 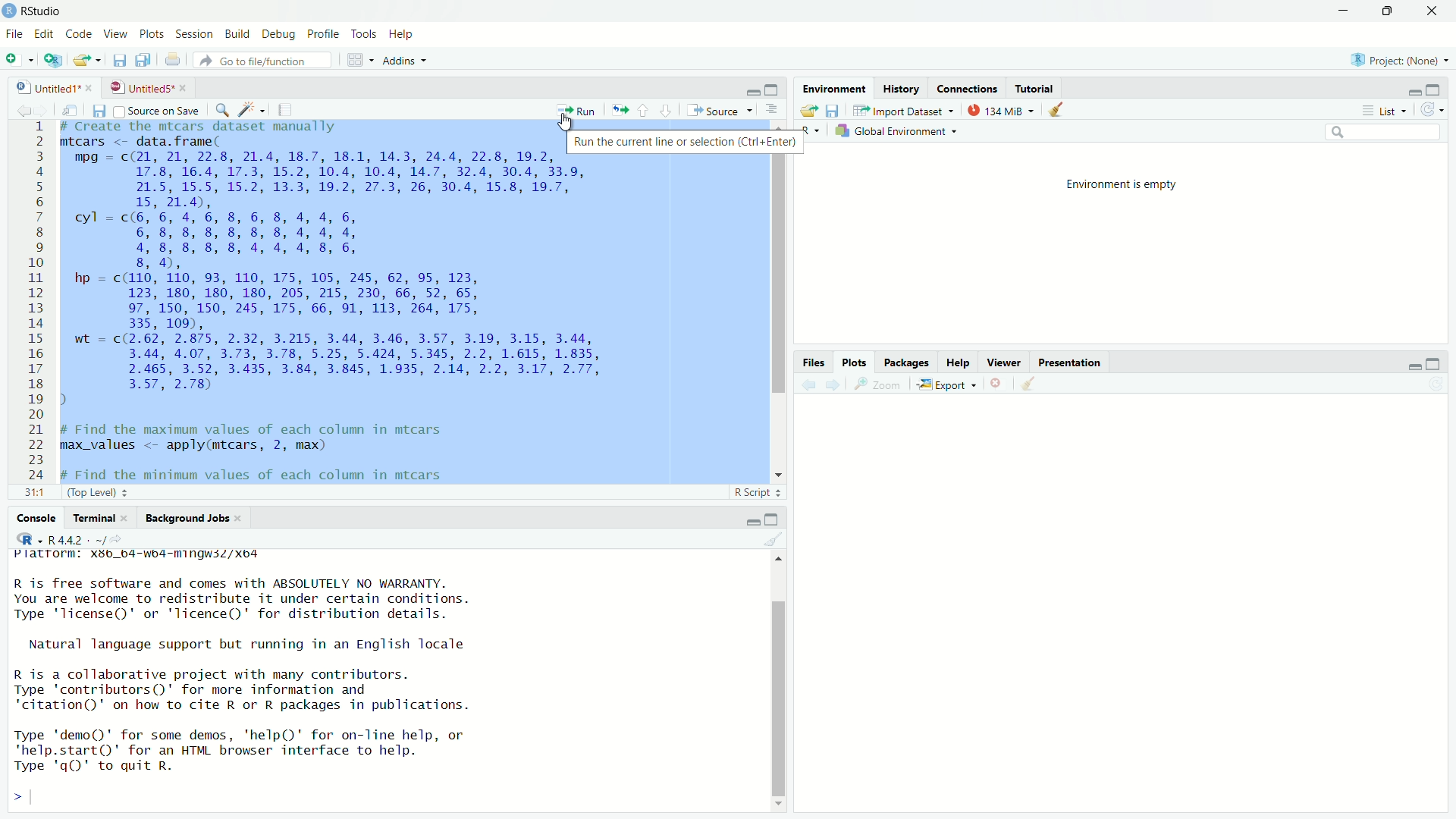 I want to click on zoom, so click(x=878, y=385).